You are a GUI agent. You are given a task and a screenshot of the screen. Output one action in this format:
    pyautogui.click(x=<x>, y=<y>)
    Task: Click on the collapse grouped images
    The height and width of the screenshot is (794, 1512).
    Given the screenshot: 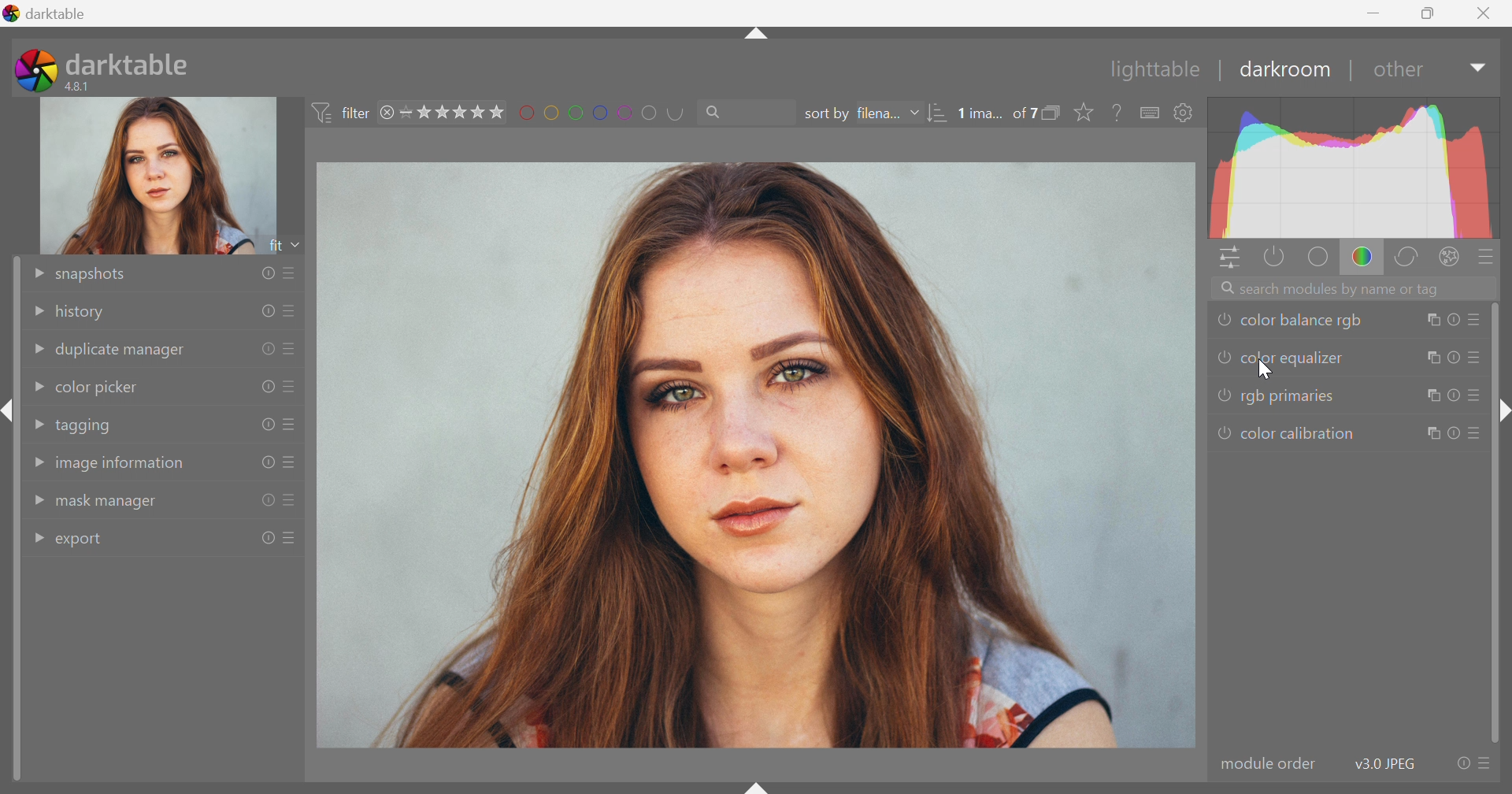 What is the action you would take?
    pyautogui.click(x=1056, y=112)
    